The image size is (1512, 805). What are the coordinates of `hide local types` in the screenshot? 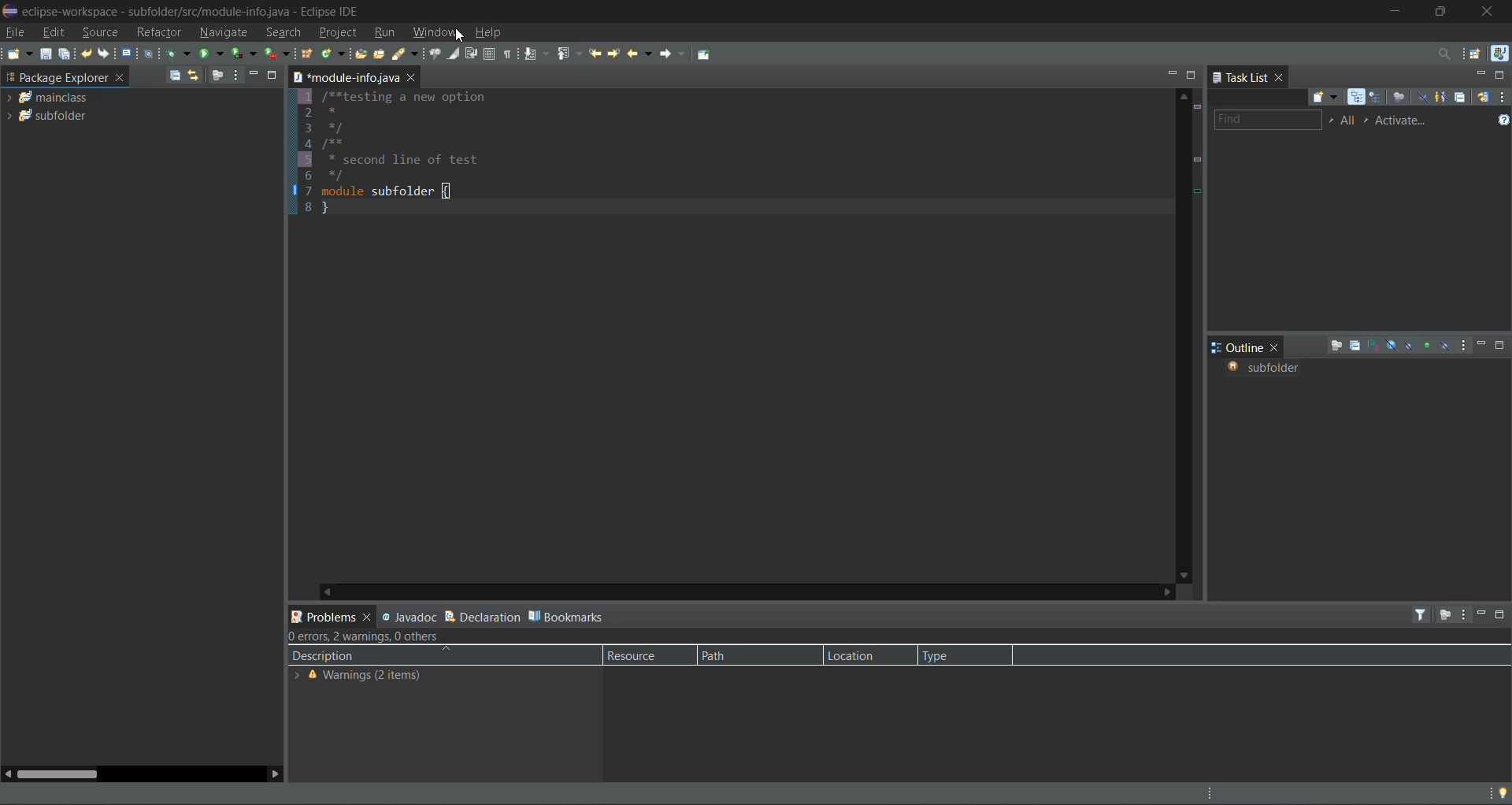 It's located at (1447, 344).